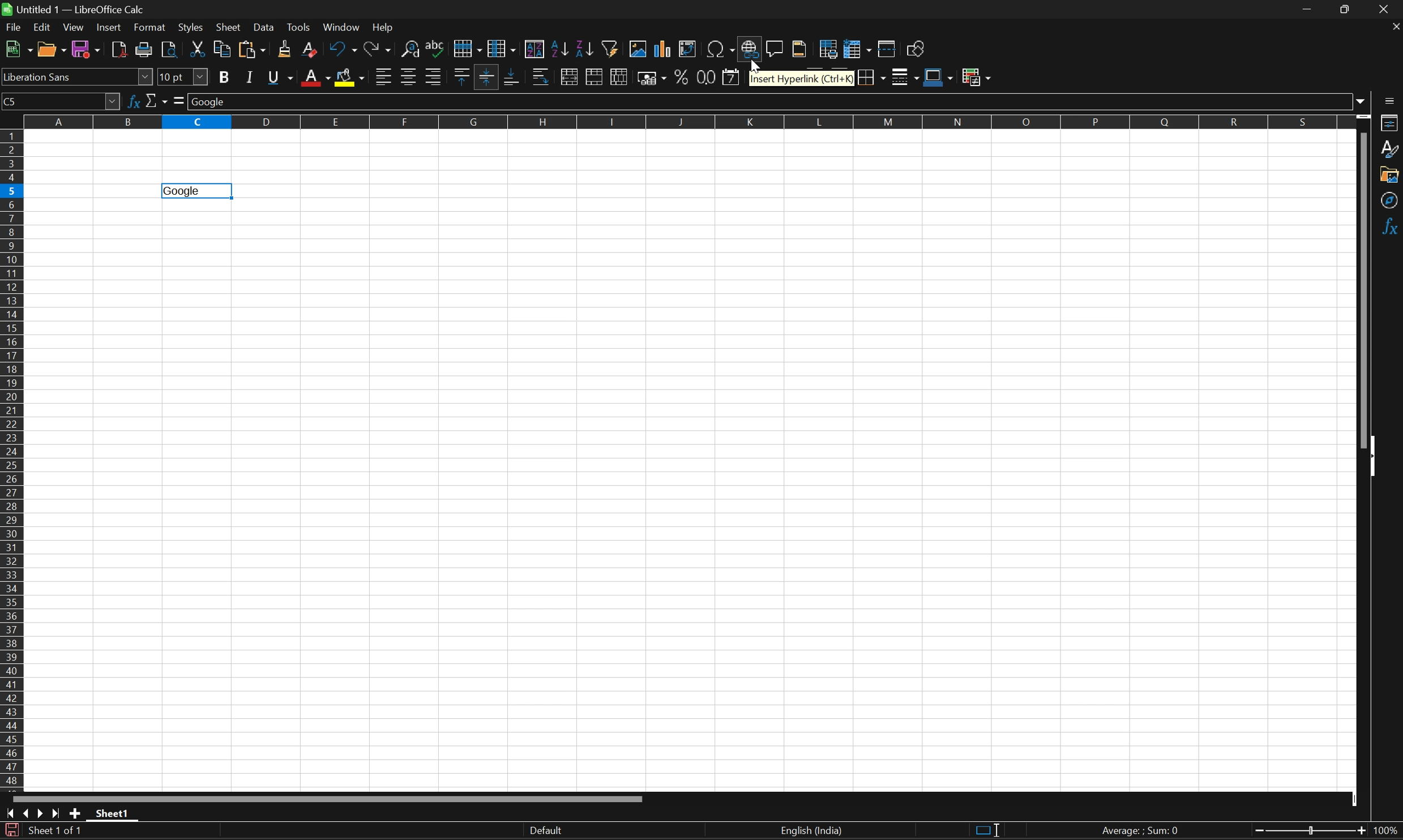  Describe the element at coordinates (1390, 174) in the screenshot. I see `Gallery` at that location.